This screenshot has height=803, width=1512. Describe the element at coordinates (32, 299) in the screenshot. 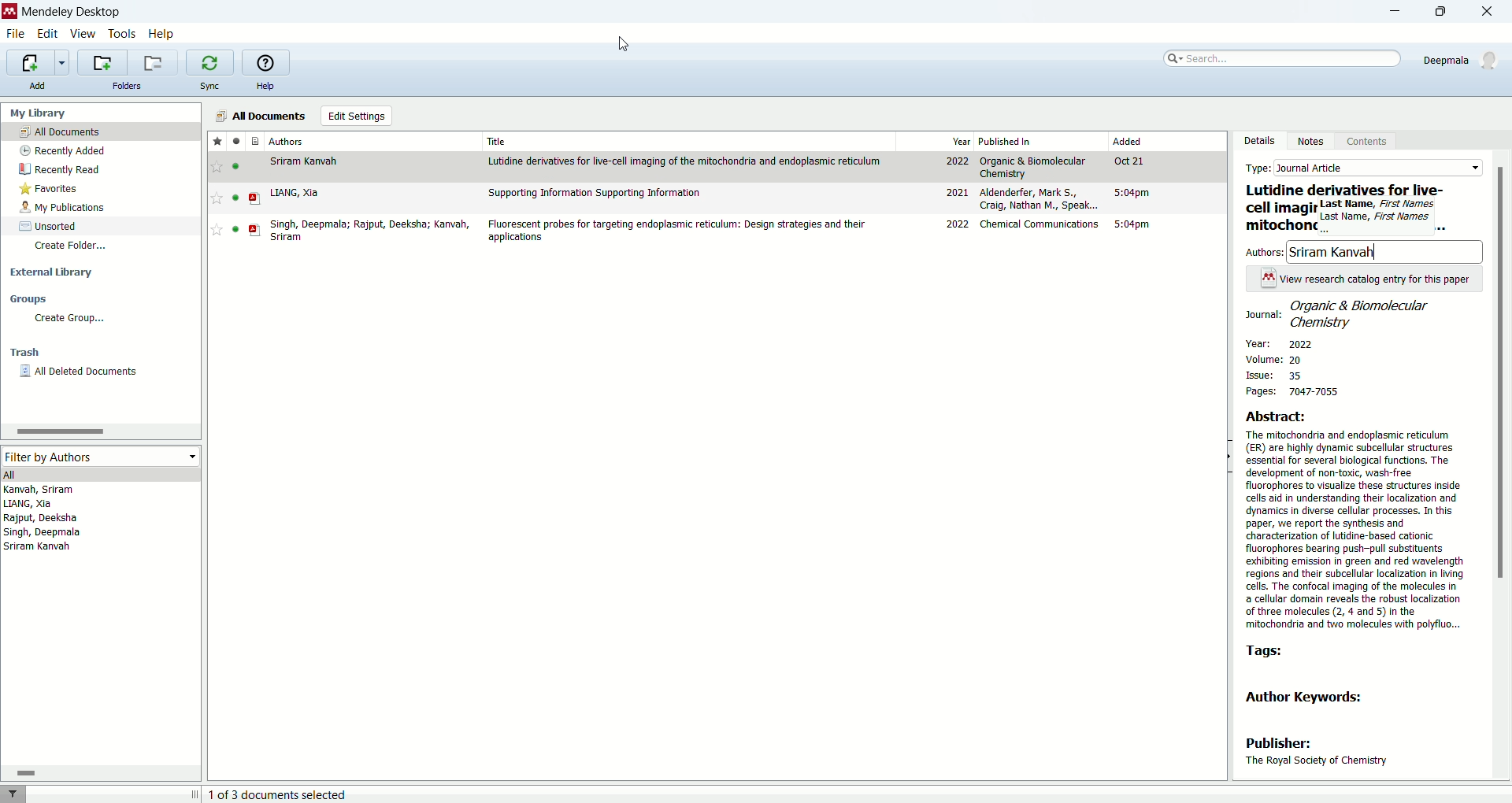

I see `groups` at that location.